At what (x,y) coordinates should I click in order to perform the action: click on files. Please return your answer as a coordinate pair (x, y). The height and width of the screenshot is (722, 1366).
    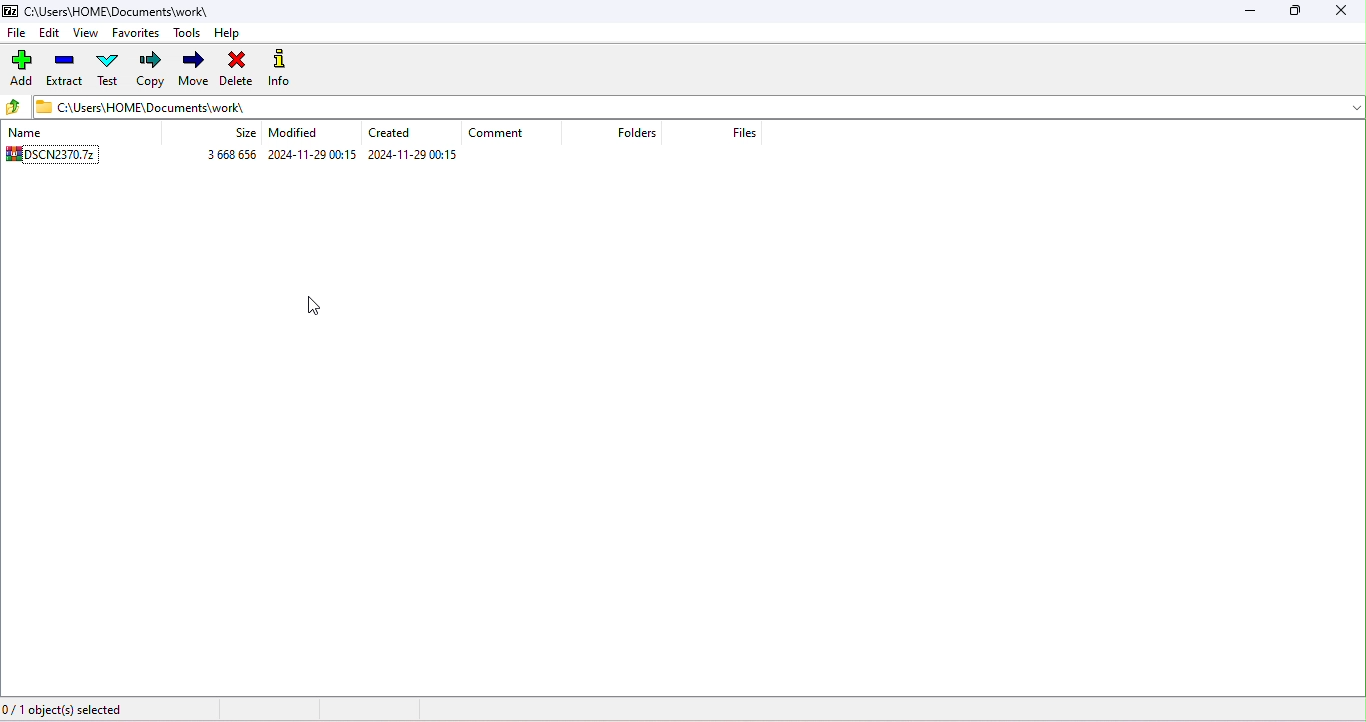
    Looking at the image, I should click on (748, 134).